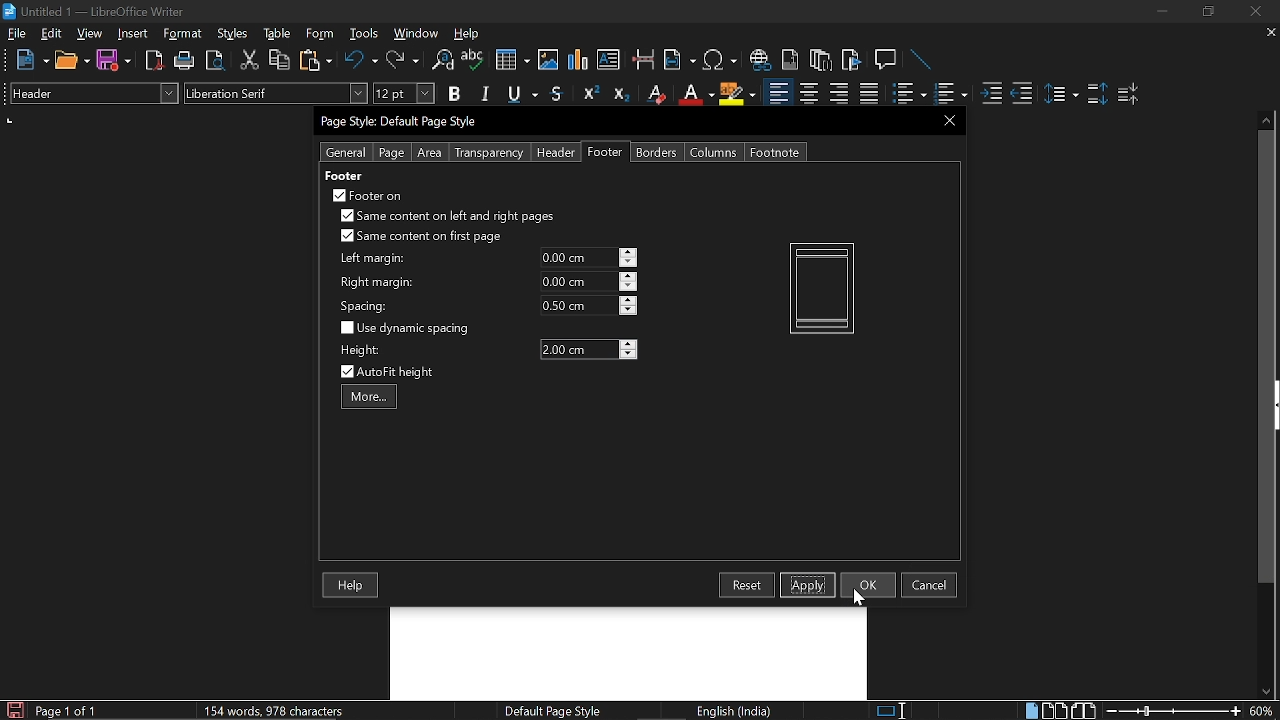 This screenshot has width=1280, height=720. Describe the element at coordinates (761, 60) in the screenshot. I see `Insert hyperlink` at that location.